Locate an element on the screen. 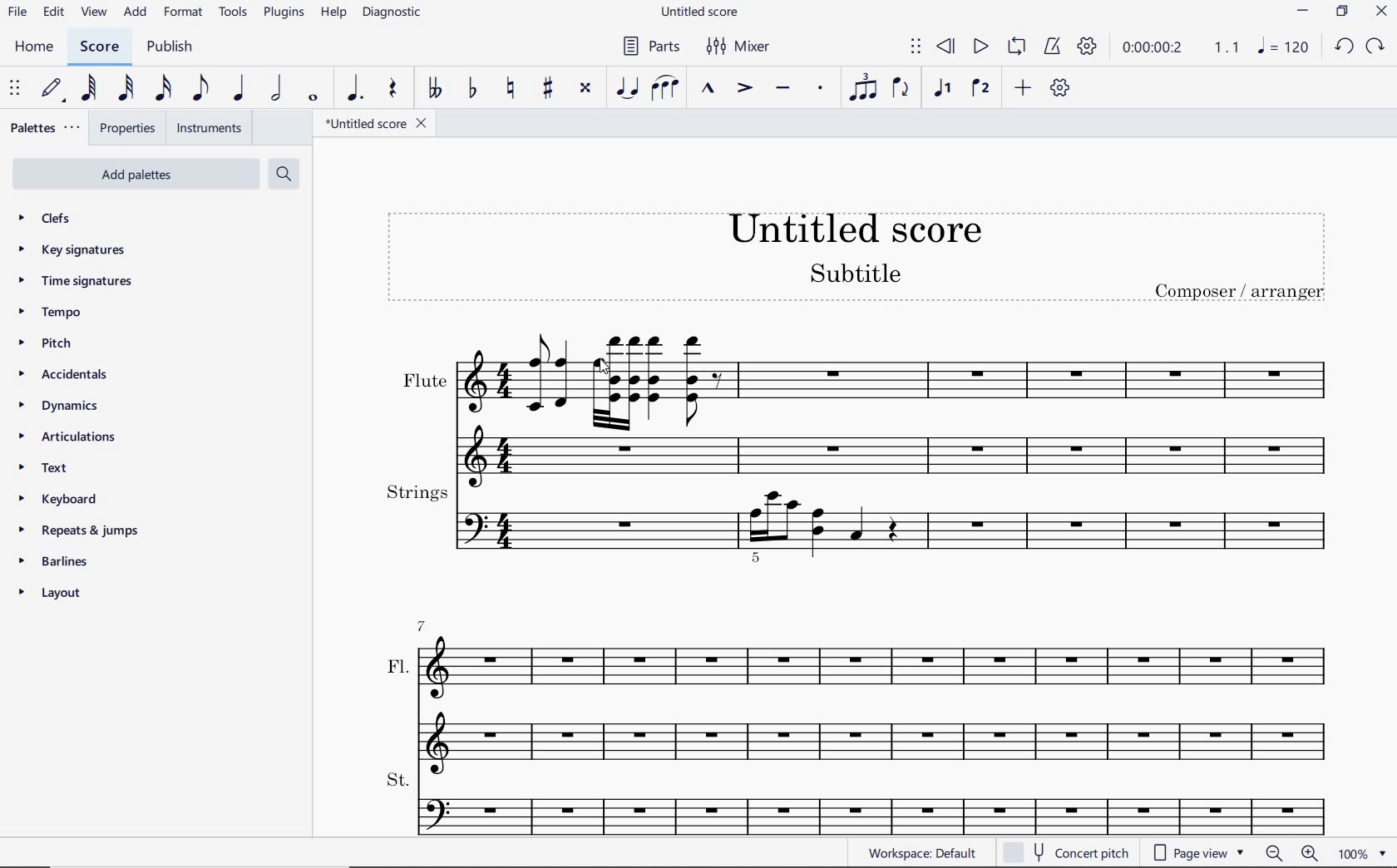  64TH NOTE is located at coordinates (90, 87).